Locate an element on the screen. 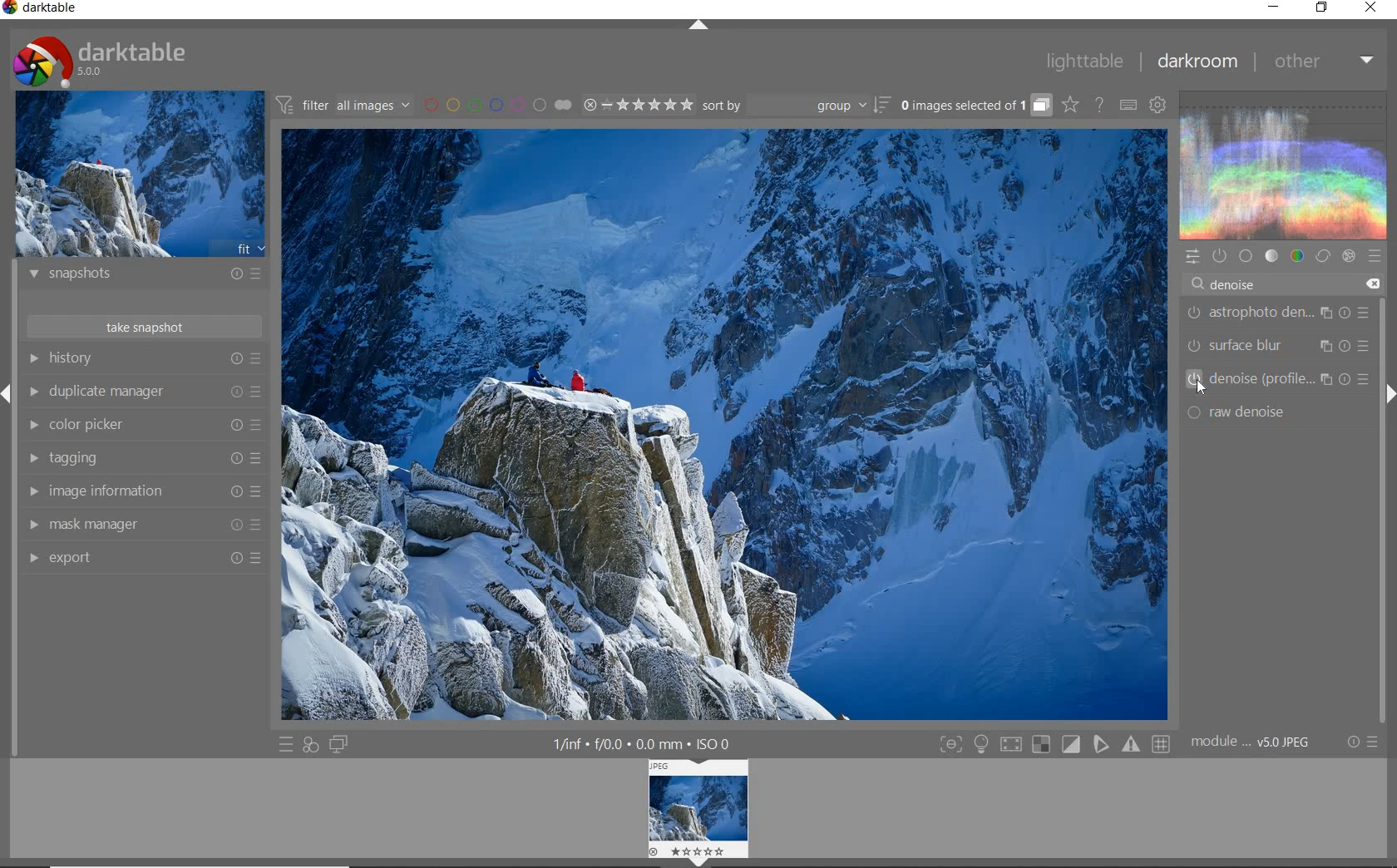  grouped images is located at coordinates (975, 105).